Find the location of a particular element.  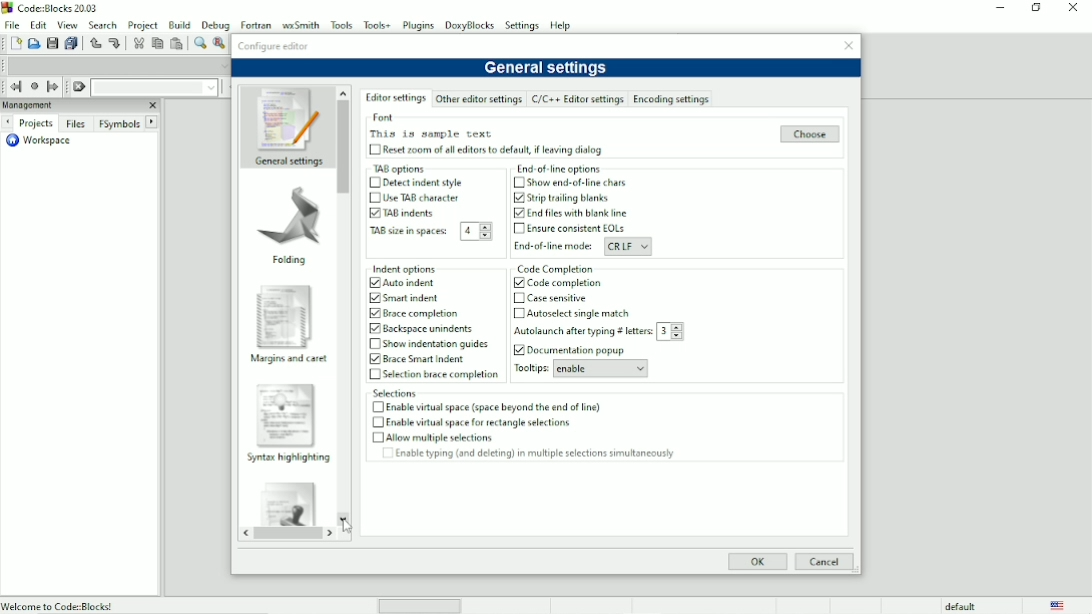

Drop down is located at coordinates (638, 369).